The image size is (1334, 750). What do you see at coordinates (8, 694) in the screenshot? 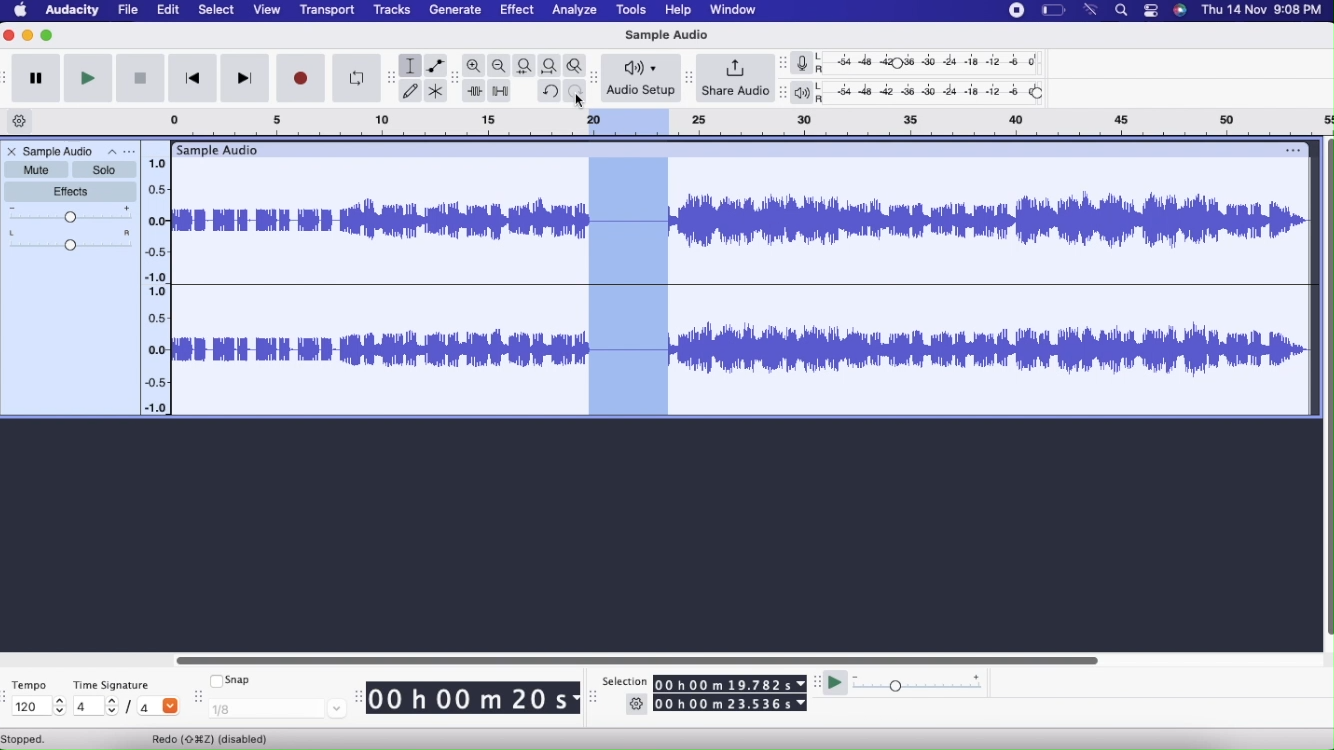
I see `move toolbar` at bounding box center [8, 694].